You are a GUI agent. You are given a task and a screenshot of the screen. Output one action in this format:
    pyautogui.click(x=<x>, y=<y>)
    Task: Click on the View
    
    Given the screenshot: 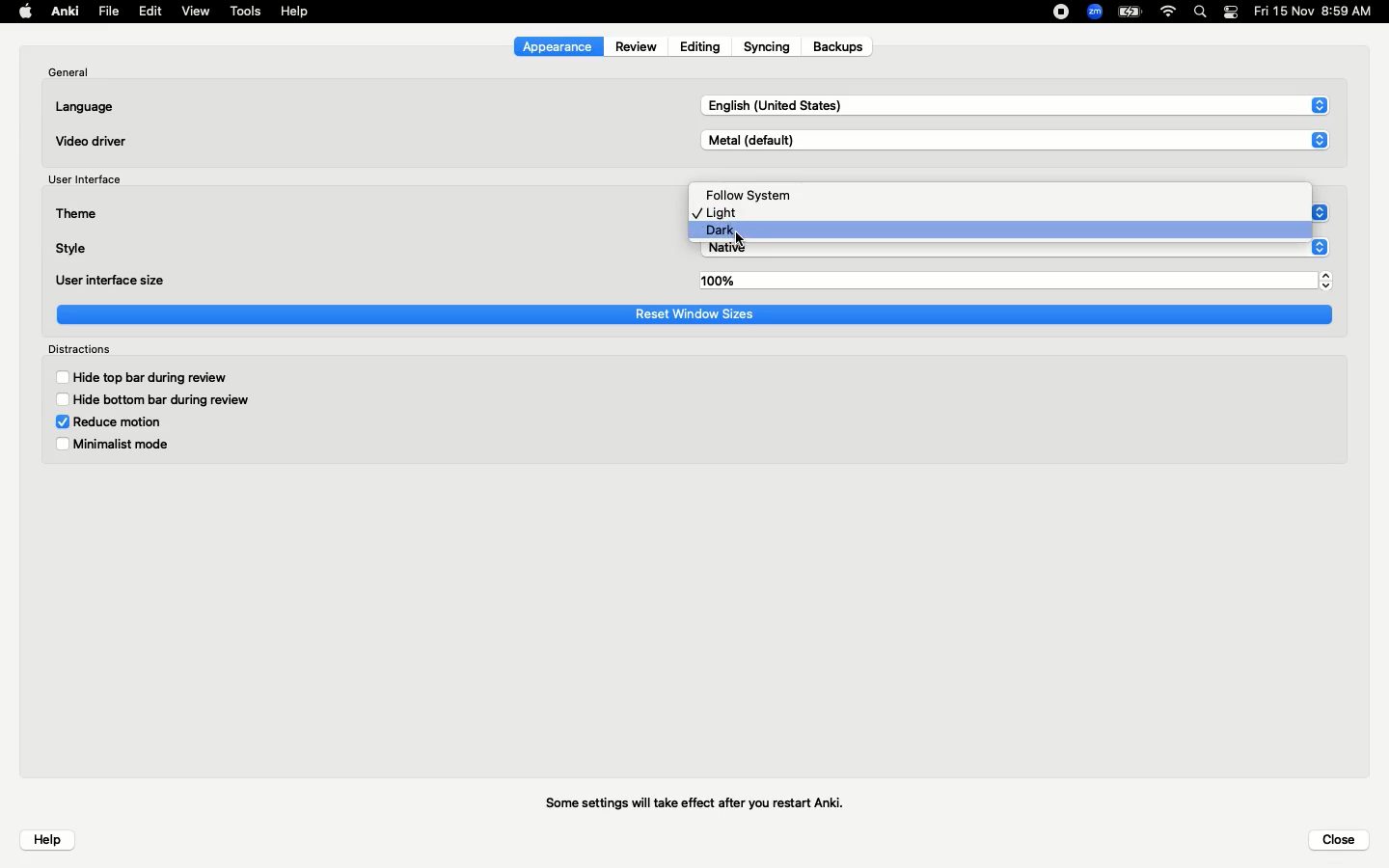 What is the action you would take?
    pyautogui.click(x=197, y=10)
    